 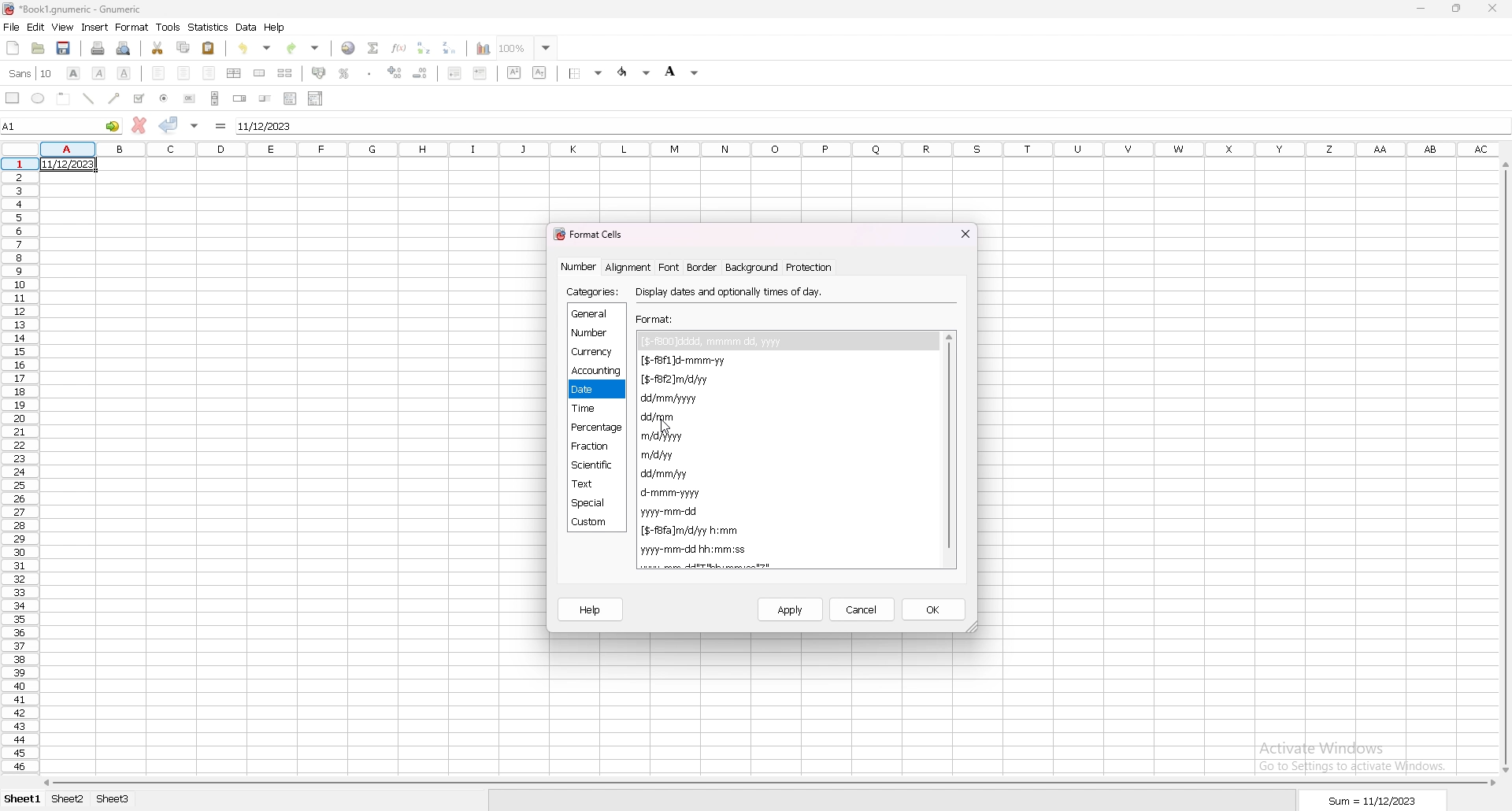 What do you see at coordinates (667, 474) in the screenshot?
I see `dd/mm/yy` at bounding box center [667, 474].